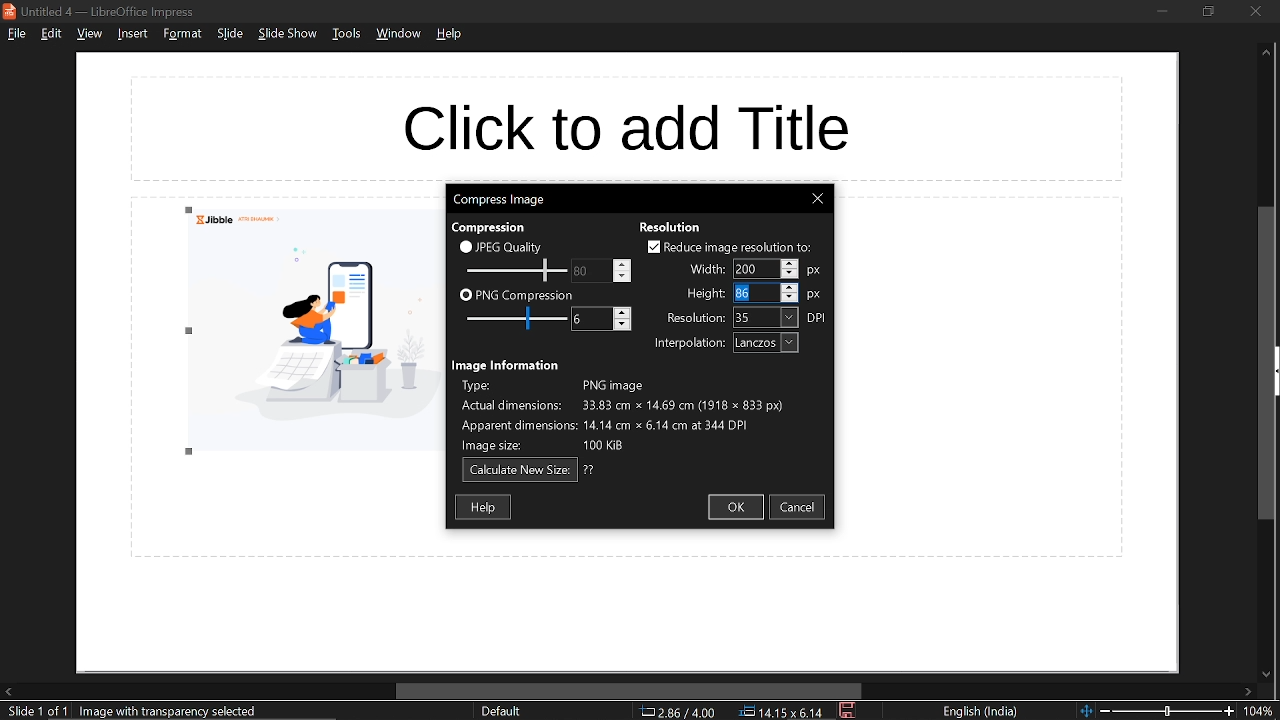  I want to click on slide style, so click(501, 711).